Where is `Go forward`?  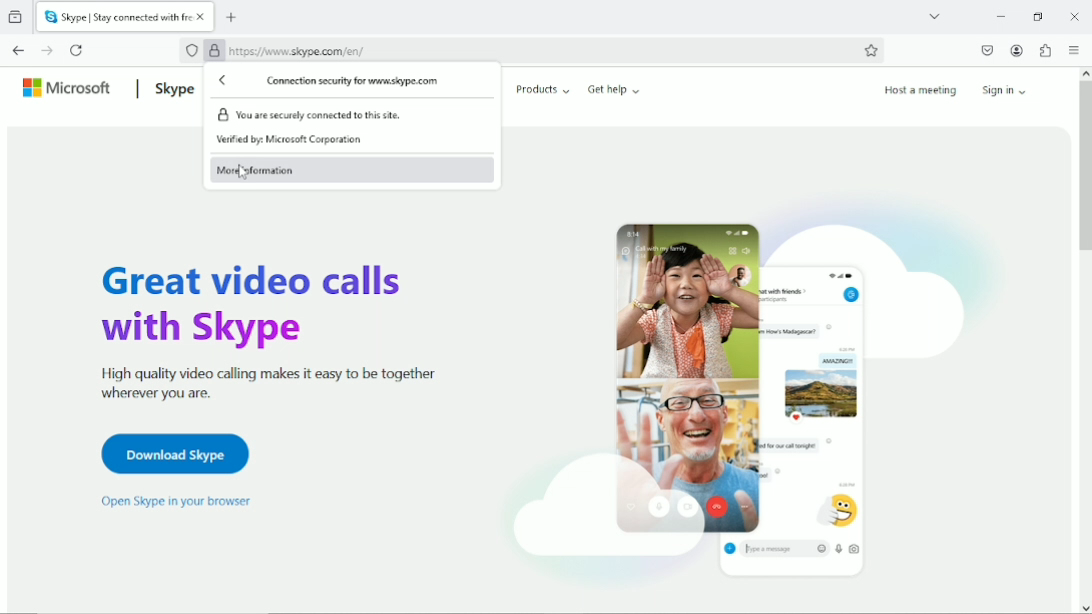
Go forward is located at coordinates (46, 50).